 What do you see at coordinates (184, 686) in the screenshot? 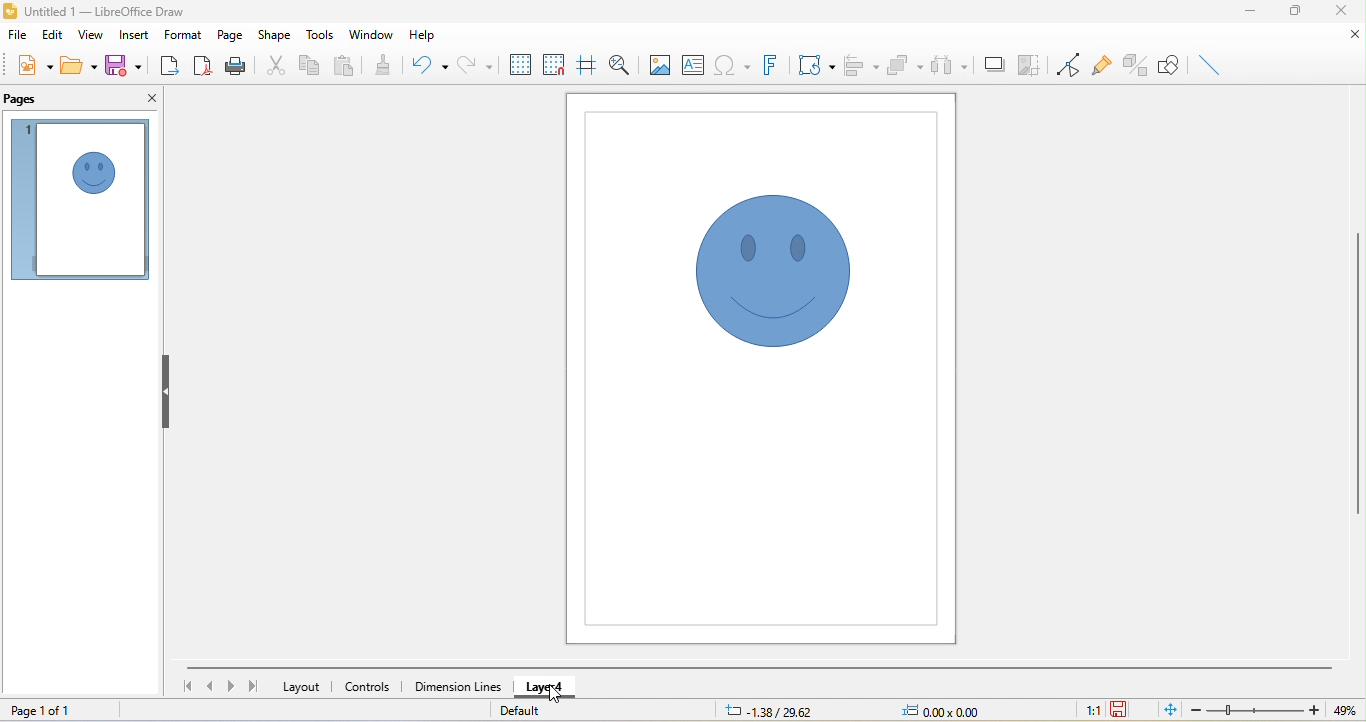
I see `first page` at bounding box center [184, 686].